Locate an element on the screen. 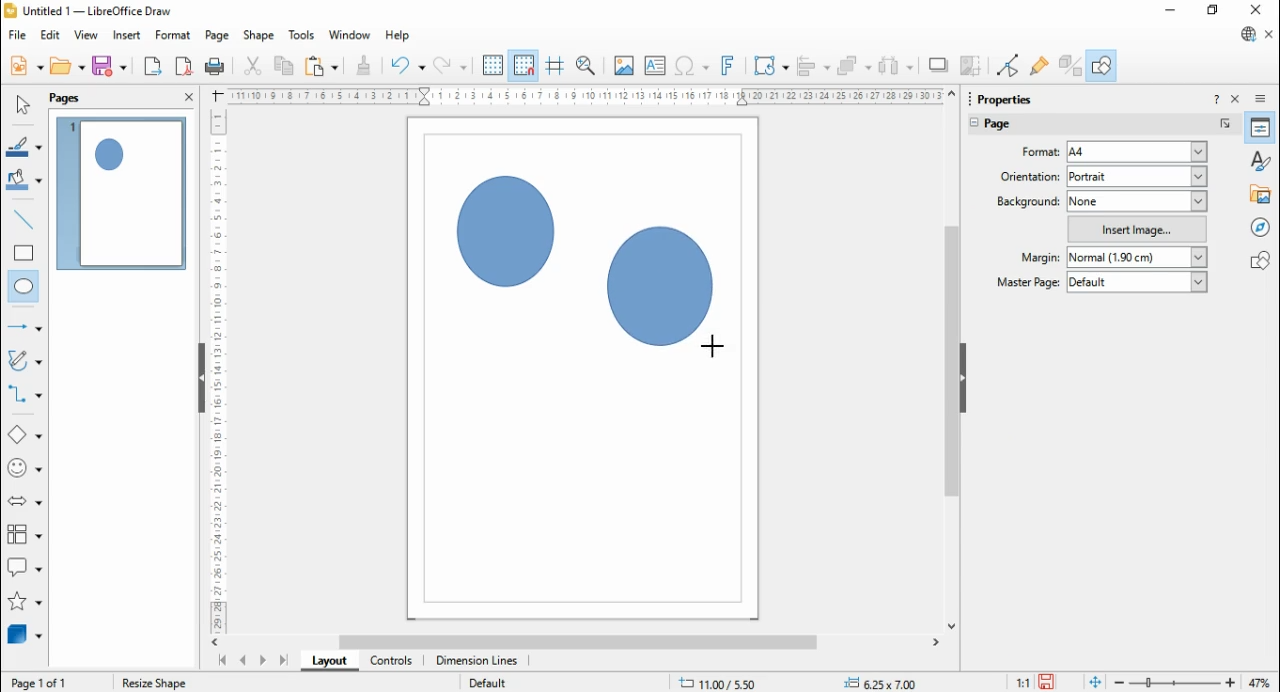 The height and width of the screenshot is (692, 1280). save is located at coordinates (109, 66).